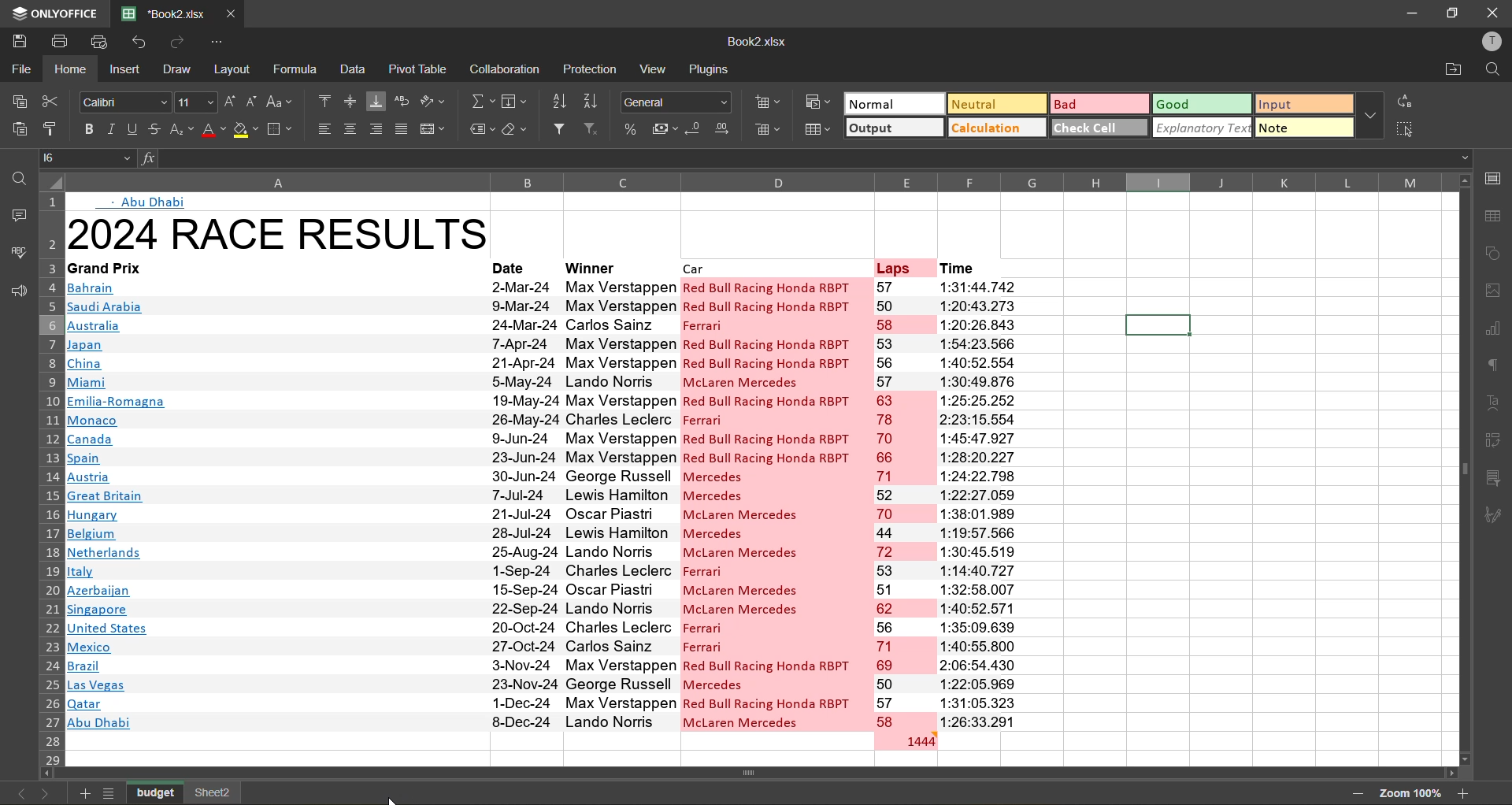  I want to click on find, so click(1490, 71).